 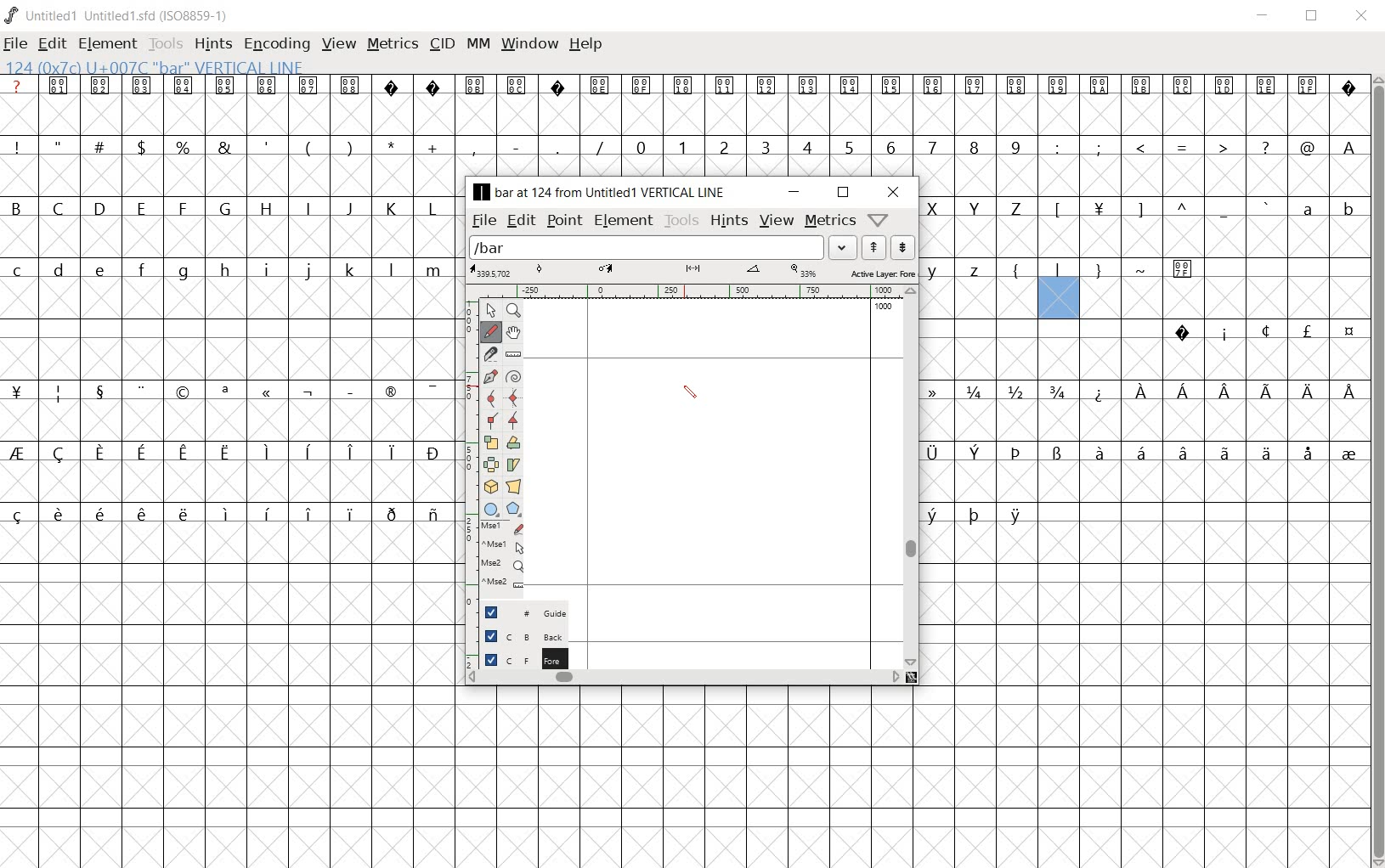 I want to click on numbers and special letters, so click(x=1143, y=391).